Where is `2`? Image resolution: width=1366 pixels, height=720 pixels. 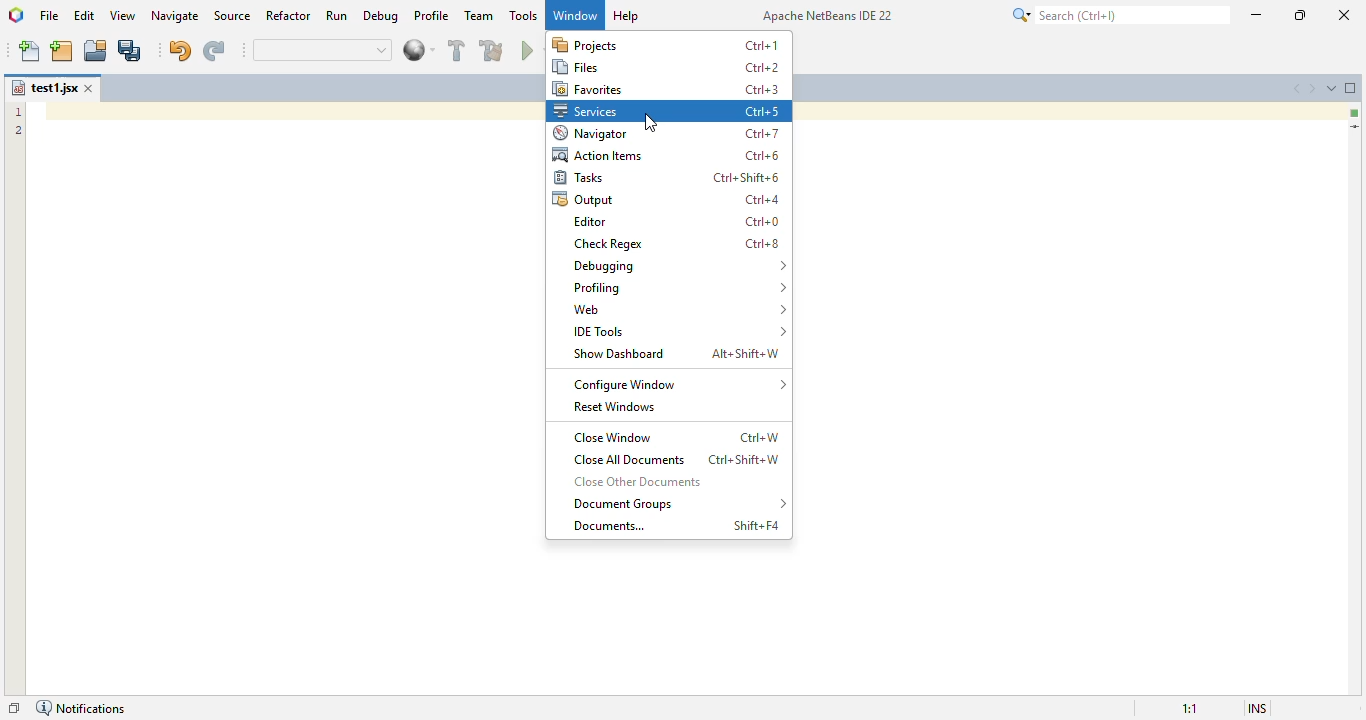
2 is located at coordinates (14, 131).